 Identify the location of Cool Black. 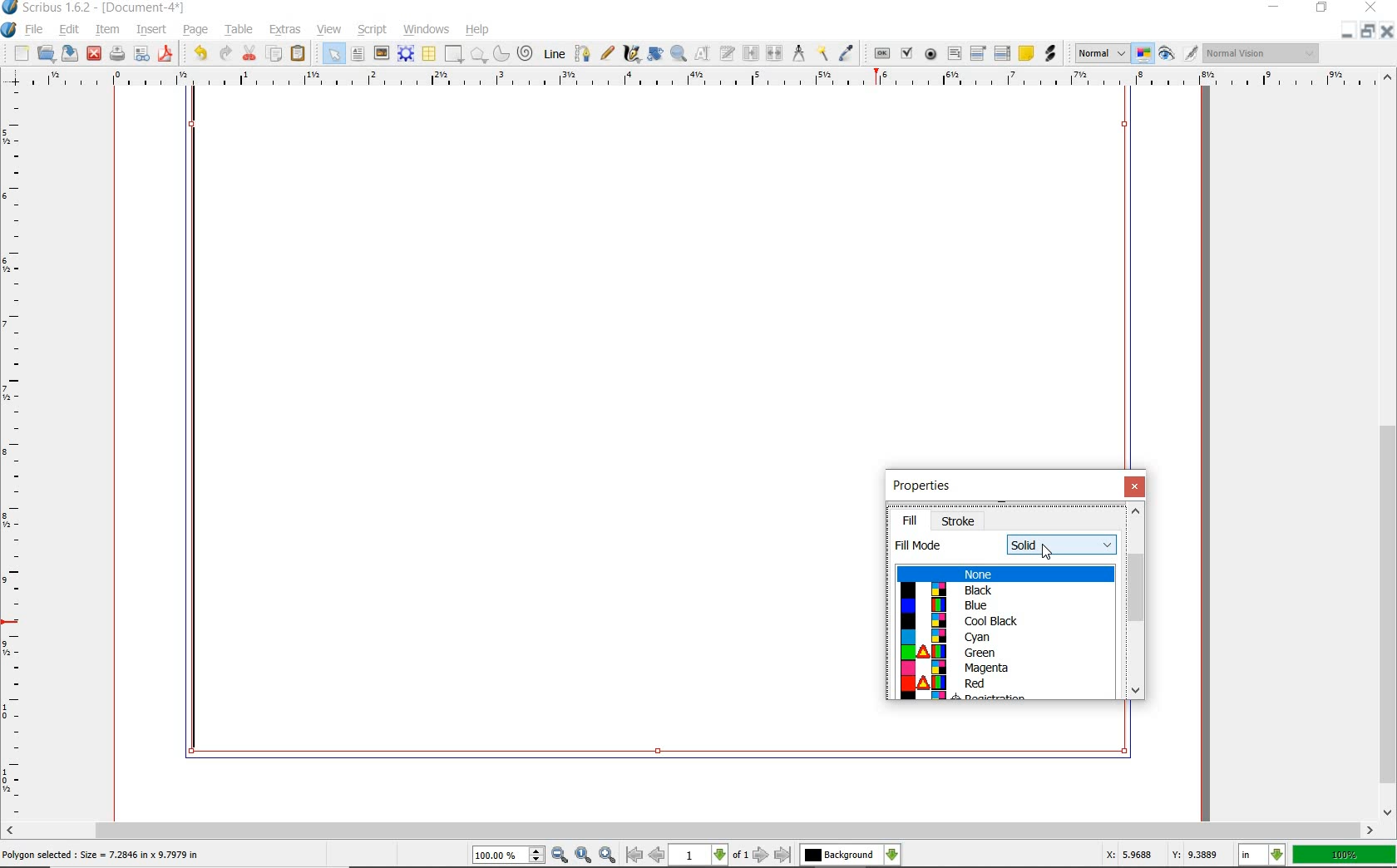
(1003, 621).